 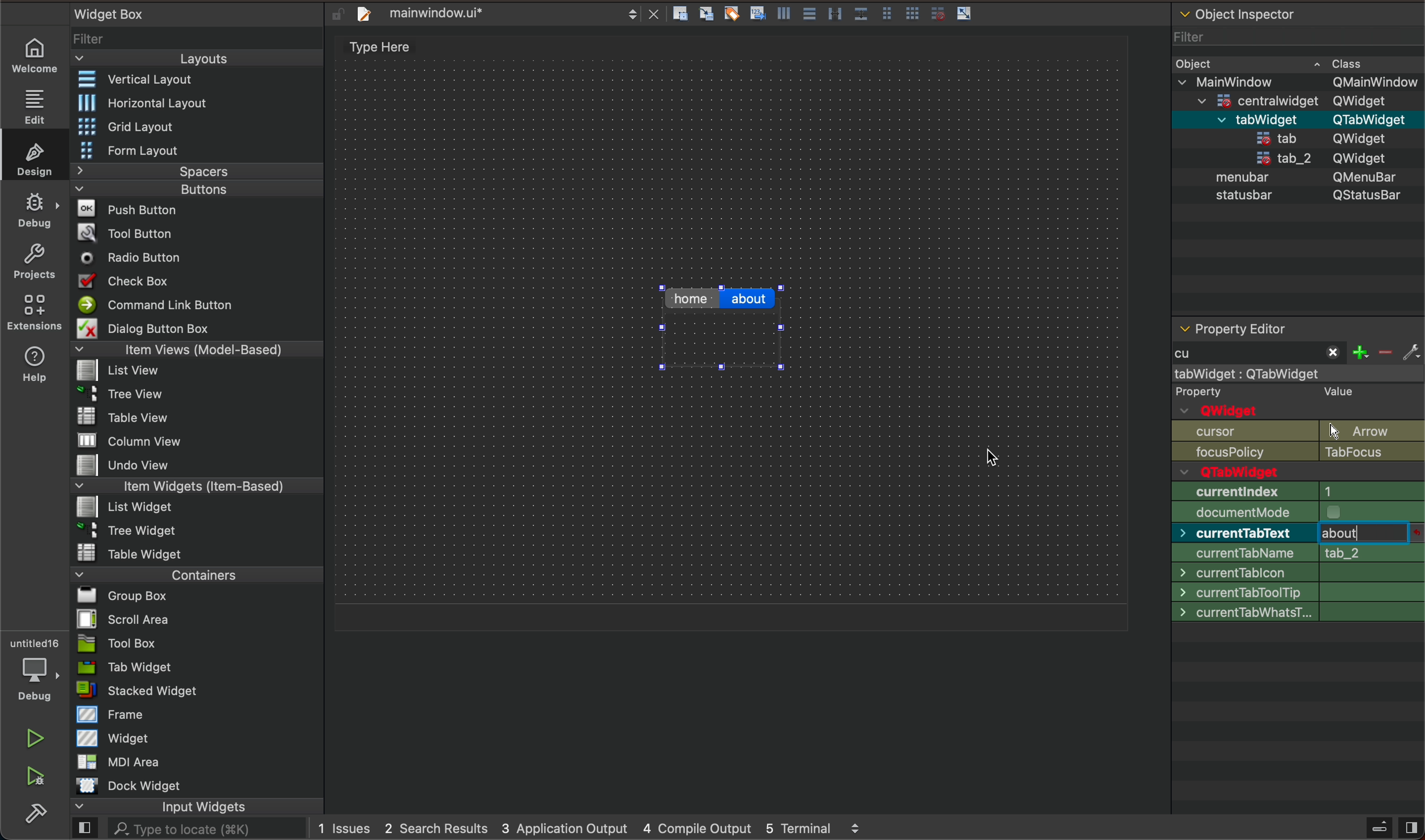 What do you see at coordinates (122, 392) in the screenshot?
I see ` Tree View` at bounding box center [122, 392].